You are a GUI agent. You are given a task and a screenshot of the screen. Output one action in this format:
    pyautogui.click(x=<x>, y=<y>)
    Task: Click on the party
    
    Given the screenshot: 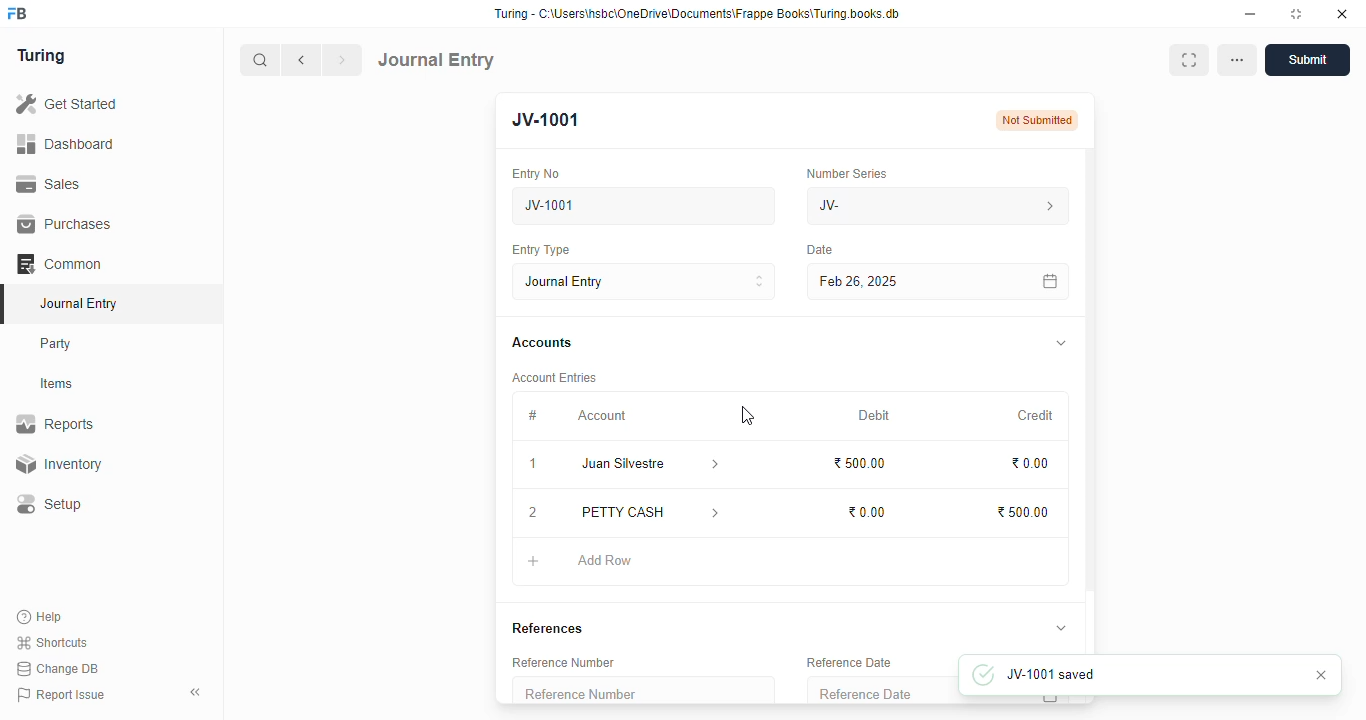 What is the action you would take?
    pyautogui.click(x=58, y=344)
    